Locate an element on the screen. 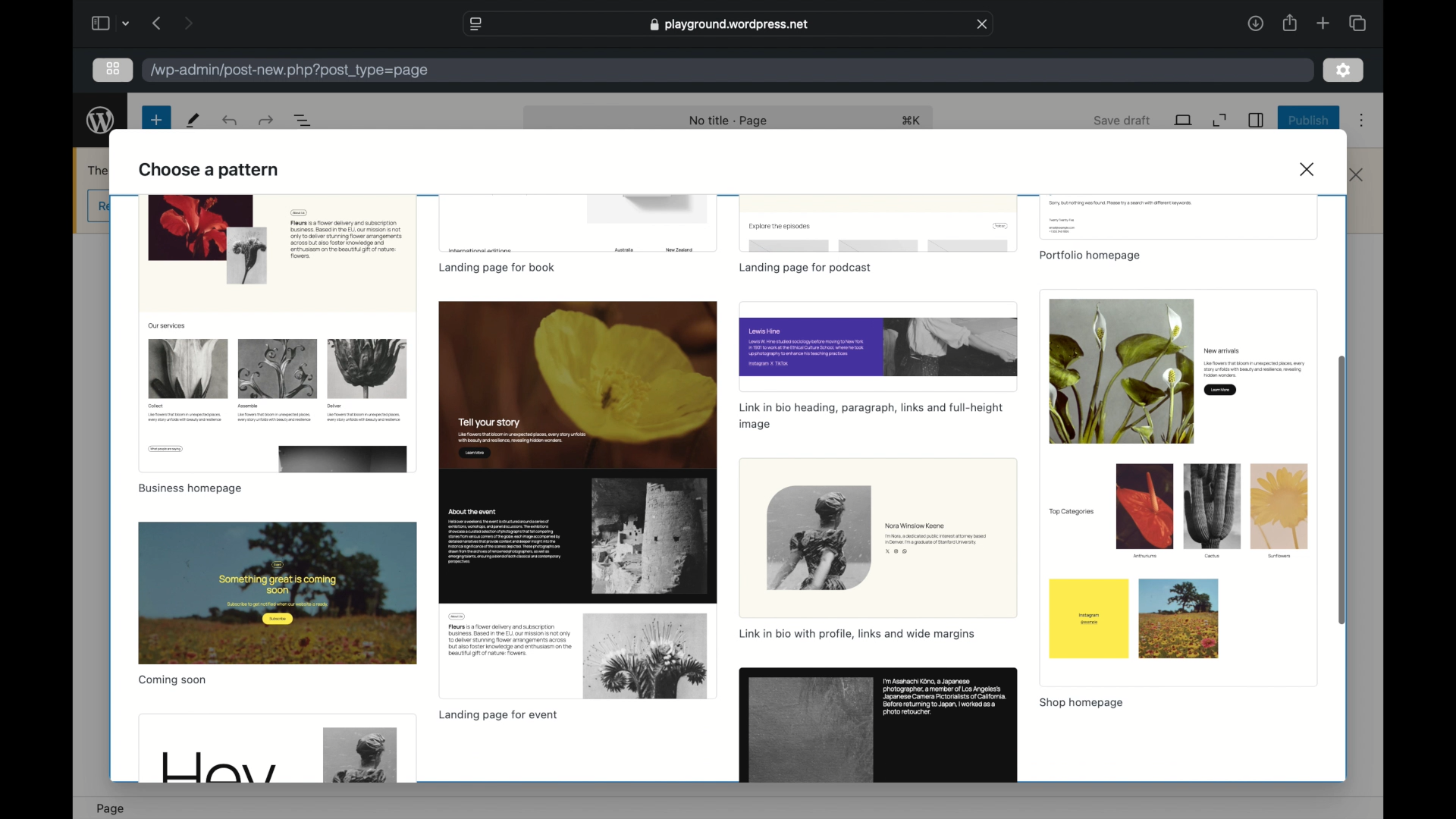 The width and height of the screenshot is (1456, 819). preview is located at coordinates (879, 345).